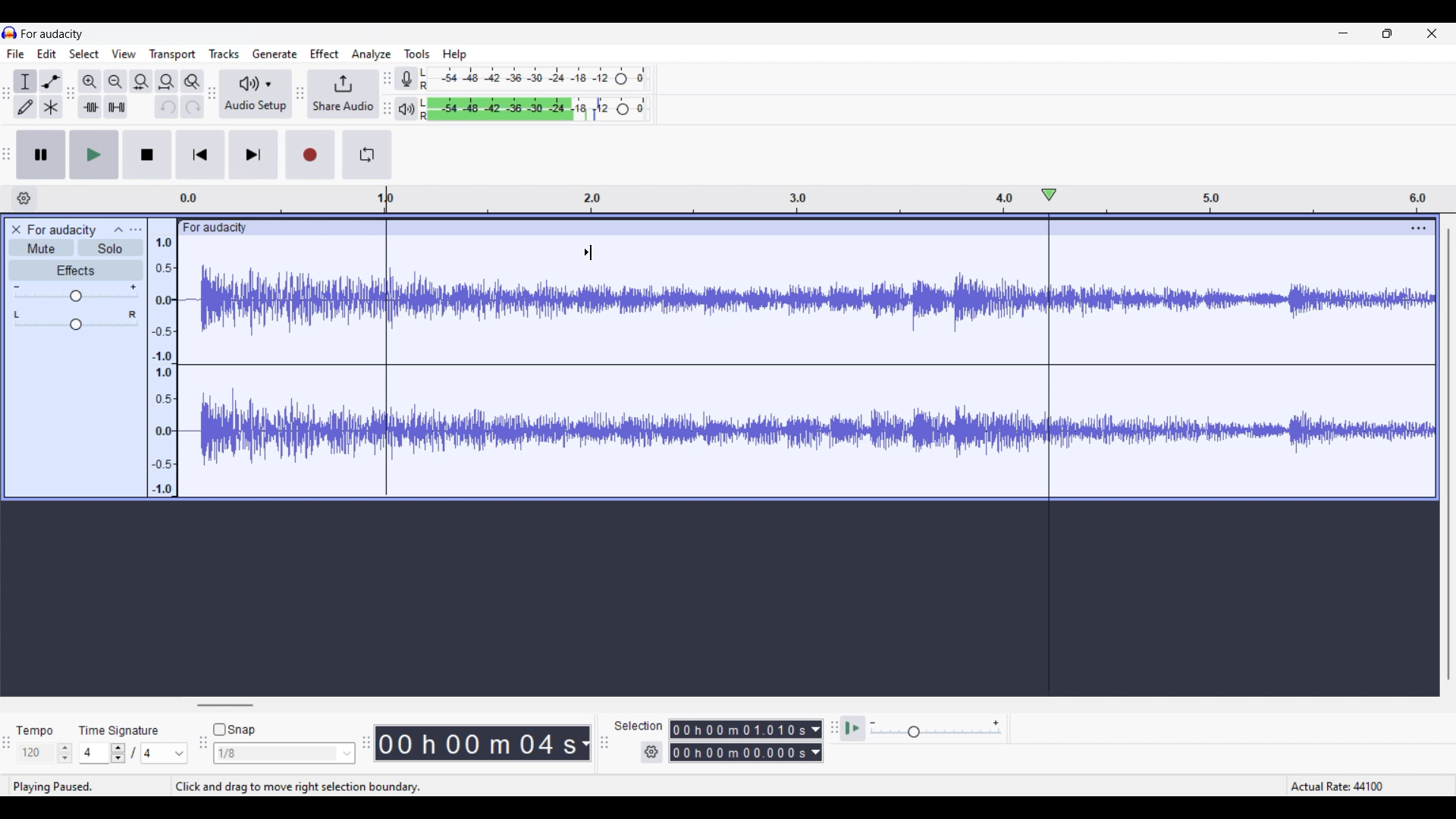  I want to click on Enable looping, so click(367, 155).